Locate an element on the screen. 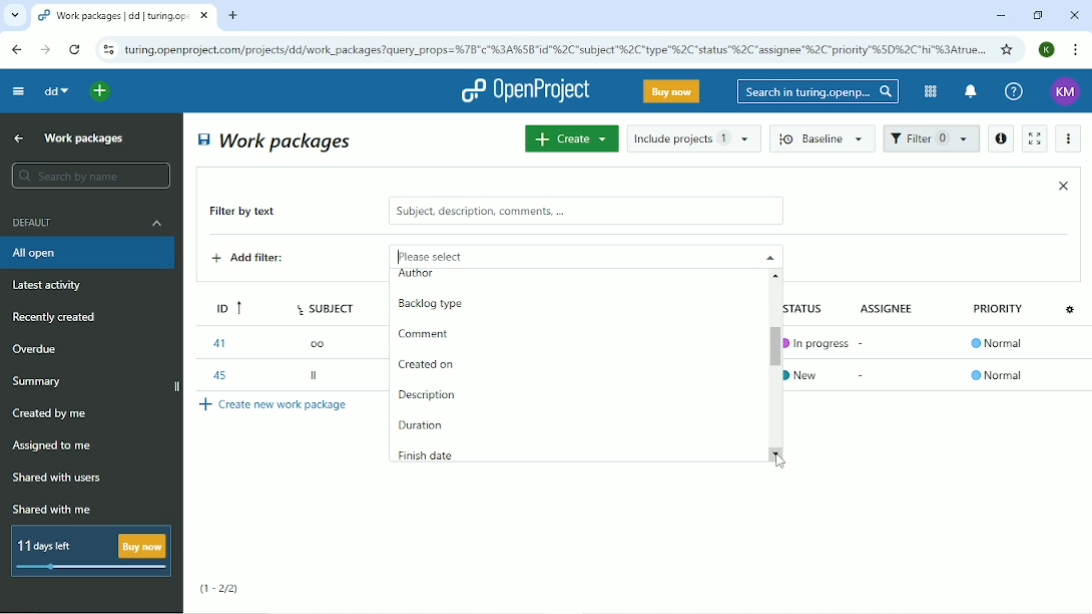 The height and width of the screenshot is (614, 1092). To notification center is located at coordinates (969, 93).